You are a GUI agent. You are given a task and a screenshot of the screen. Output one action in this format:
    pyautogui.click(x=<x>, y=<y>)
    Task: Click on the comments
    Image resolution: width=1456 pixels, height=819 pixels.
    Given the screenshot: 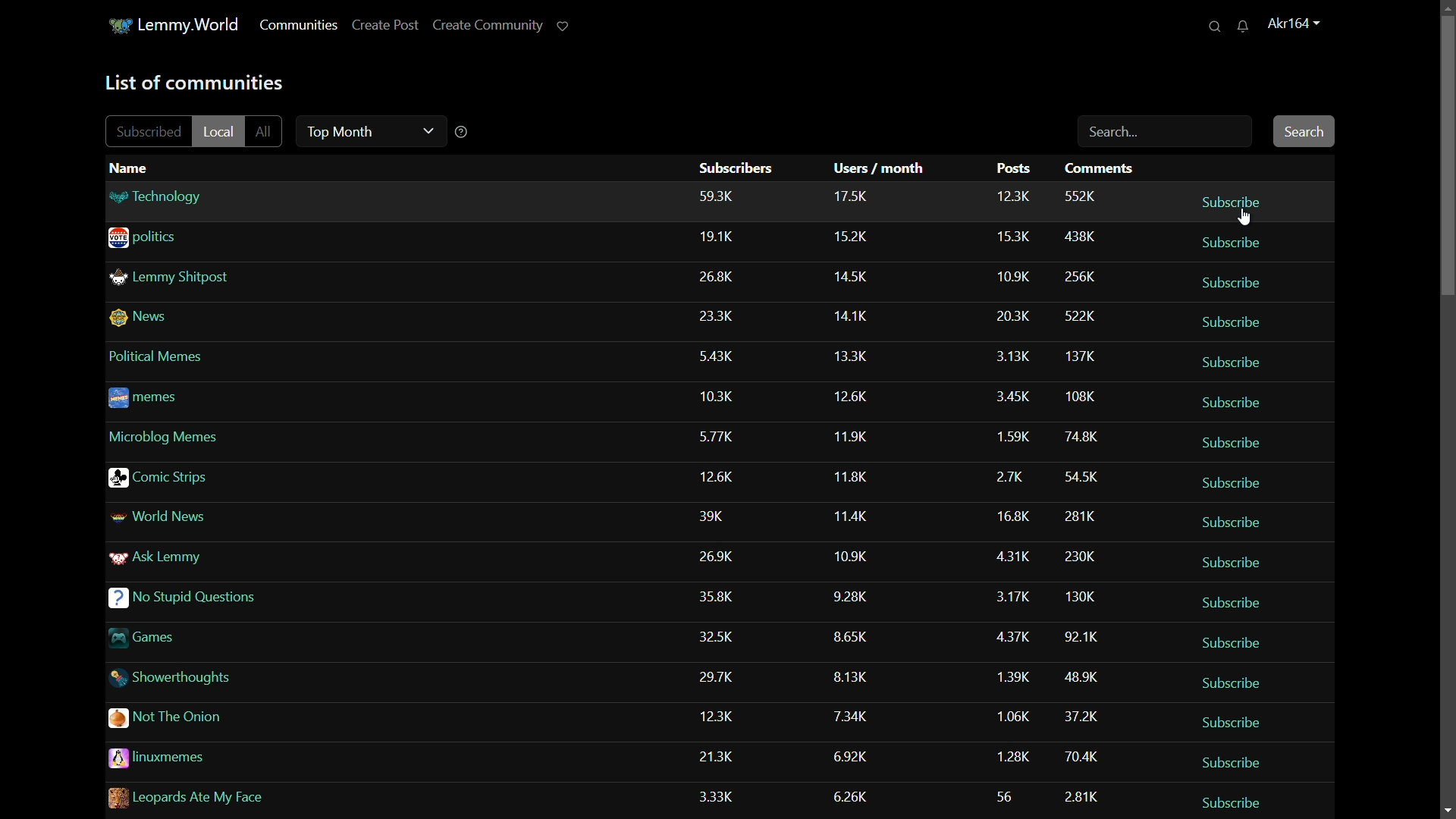 What is the action you would take?
    pyautogui.click(x=1073, y=554)
    